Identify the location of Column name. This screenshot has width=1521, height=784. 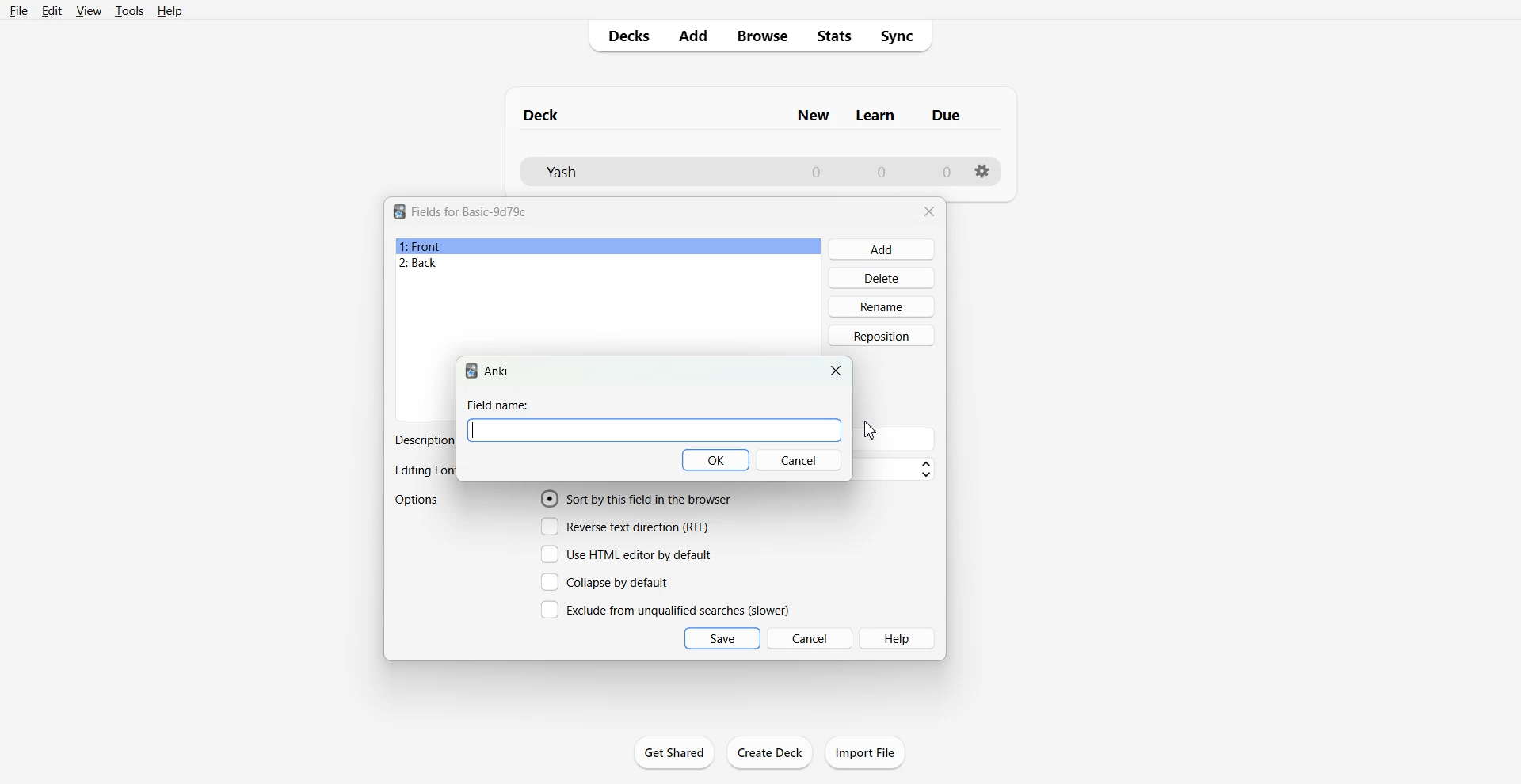
(813, 116).